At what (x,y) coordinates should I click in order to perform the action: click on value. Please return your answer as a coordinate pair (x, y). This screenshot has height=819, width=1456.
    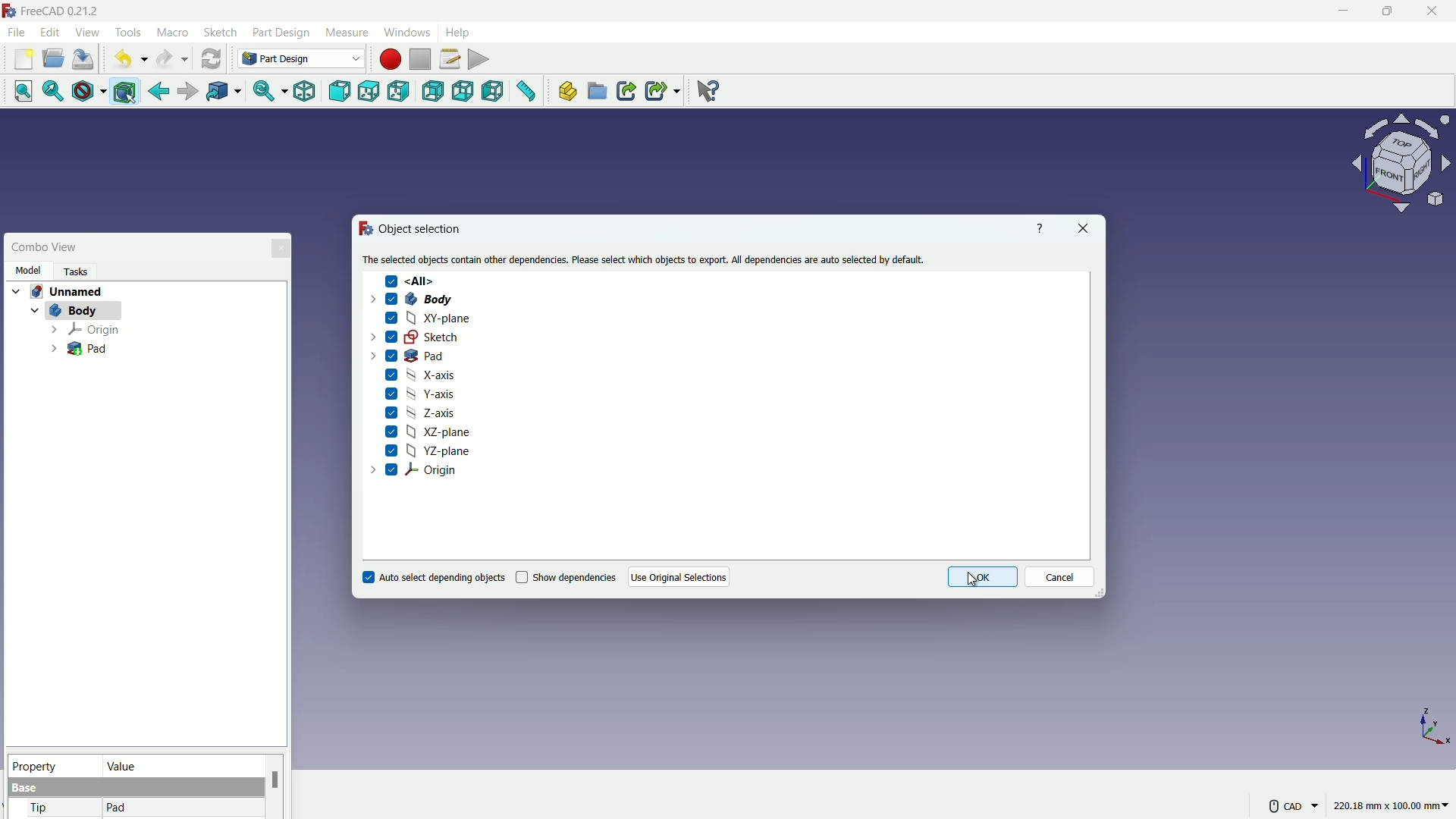
    Looking at the image, I should click on (180, 765).